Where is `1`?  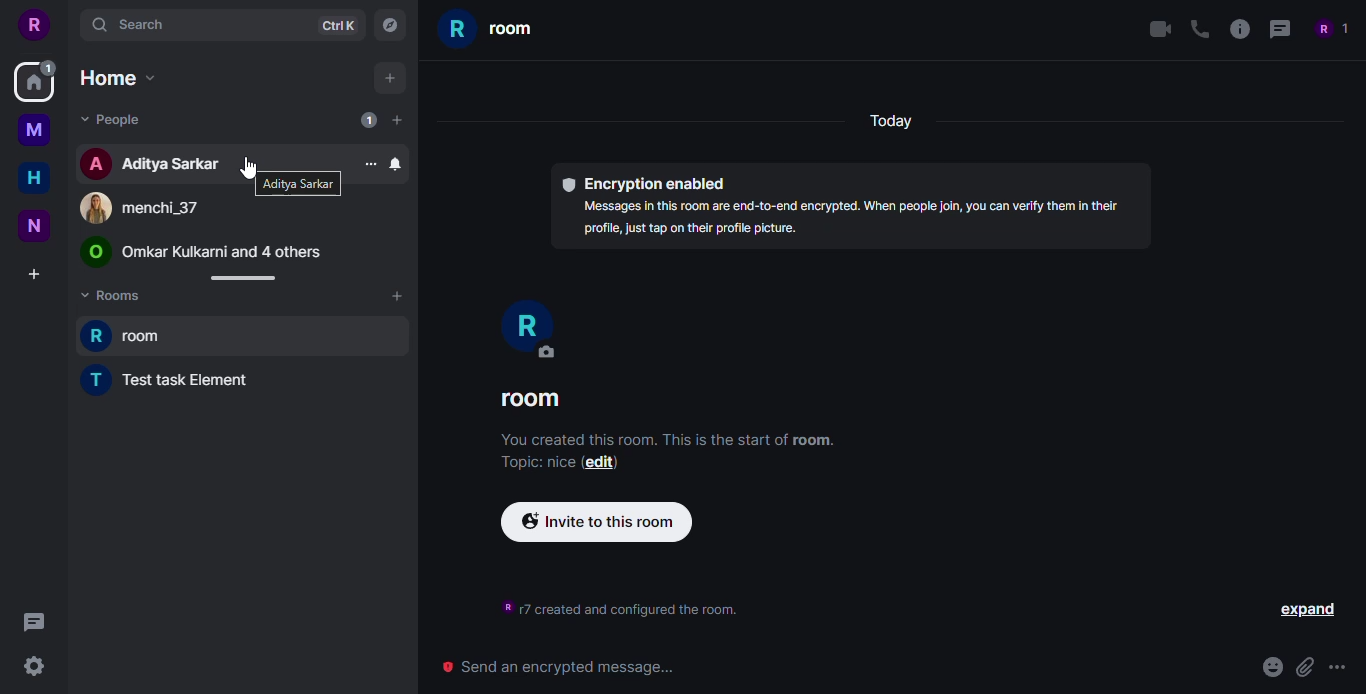
1 is located at coordinates (369, 120).